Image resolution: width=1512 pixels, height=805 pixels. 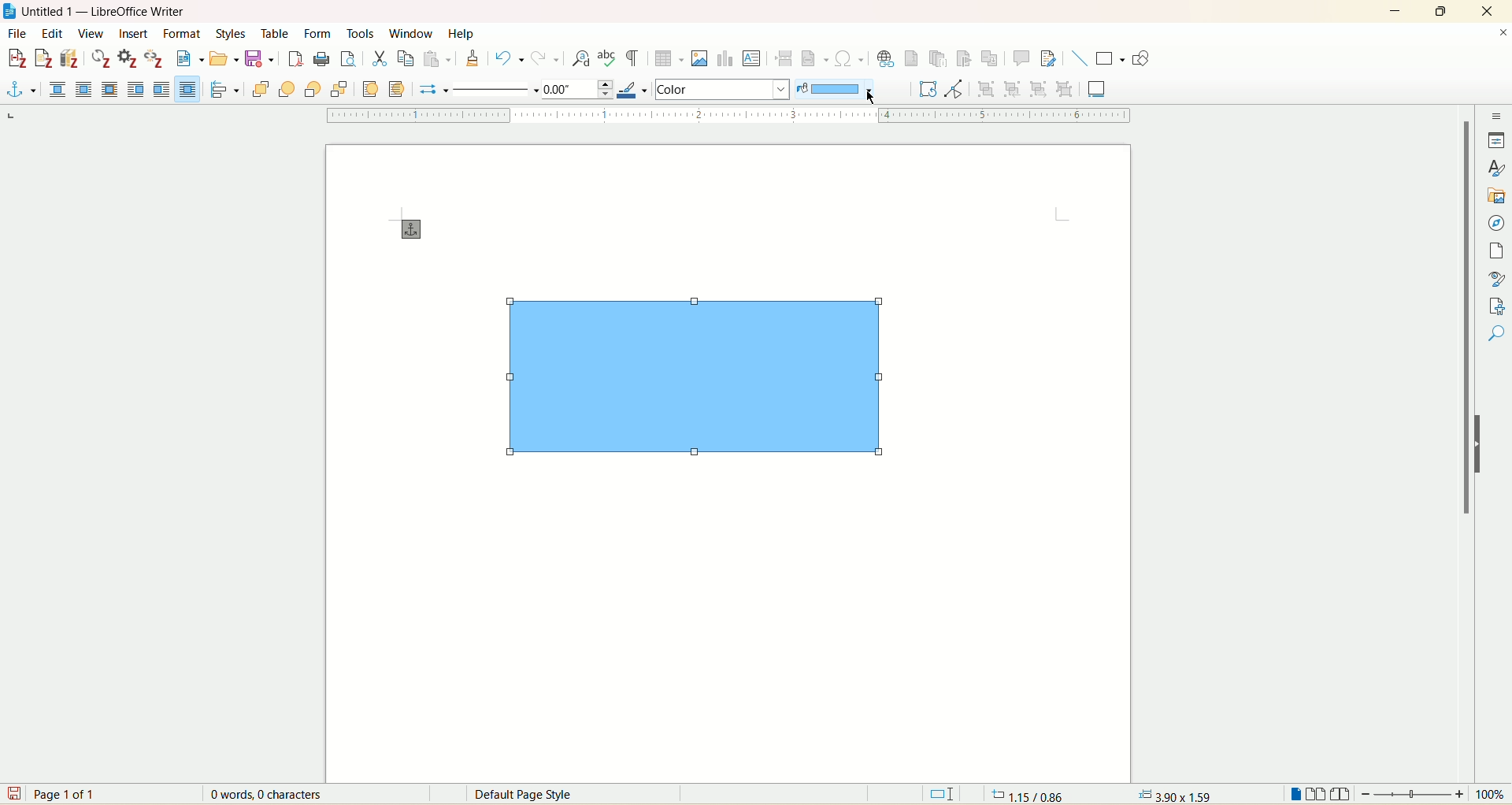 I want to click on style, so click(x=1498, y=169).